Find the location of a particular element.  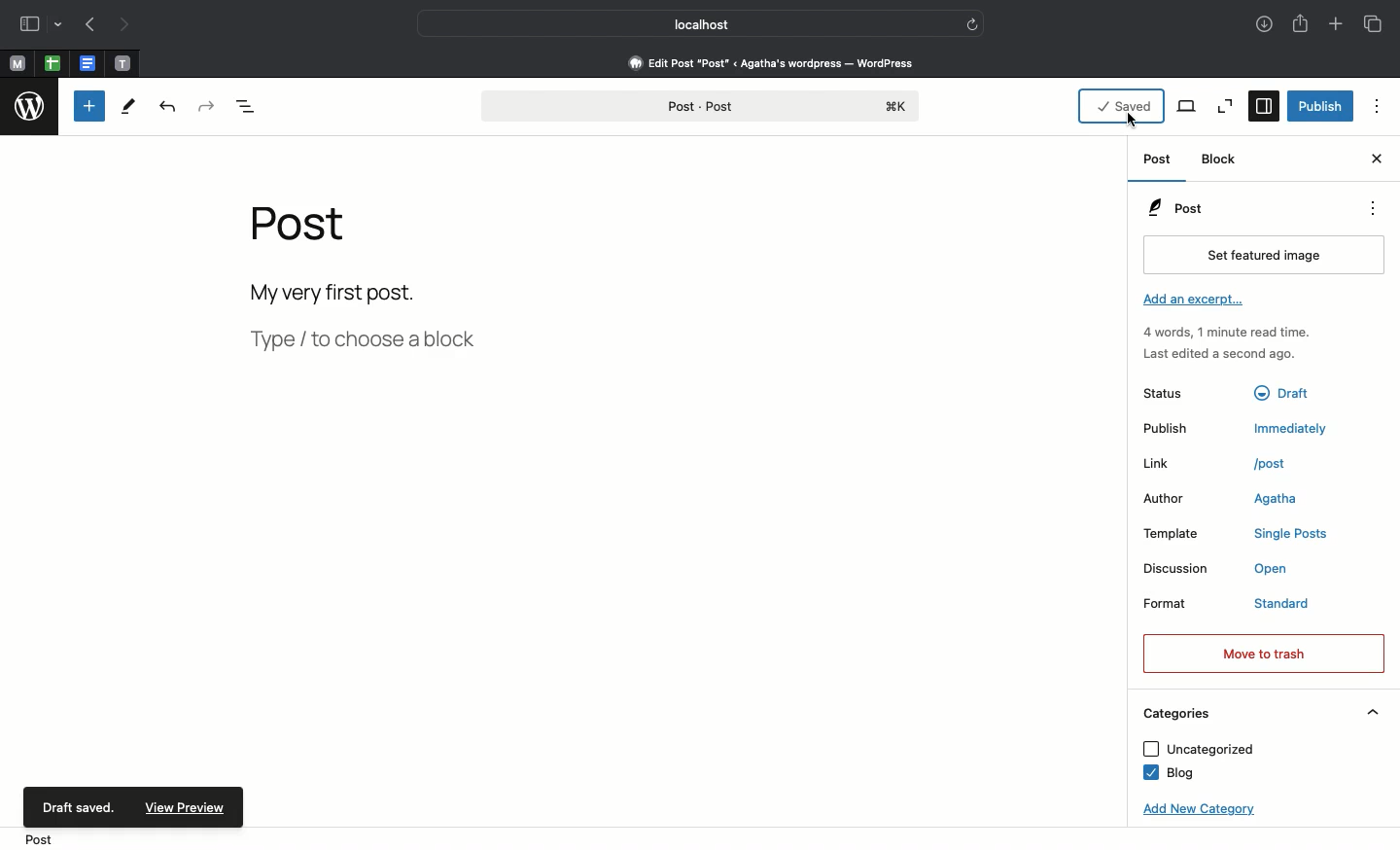

Uncategorized is located at coordinates (1198, 750).